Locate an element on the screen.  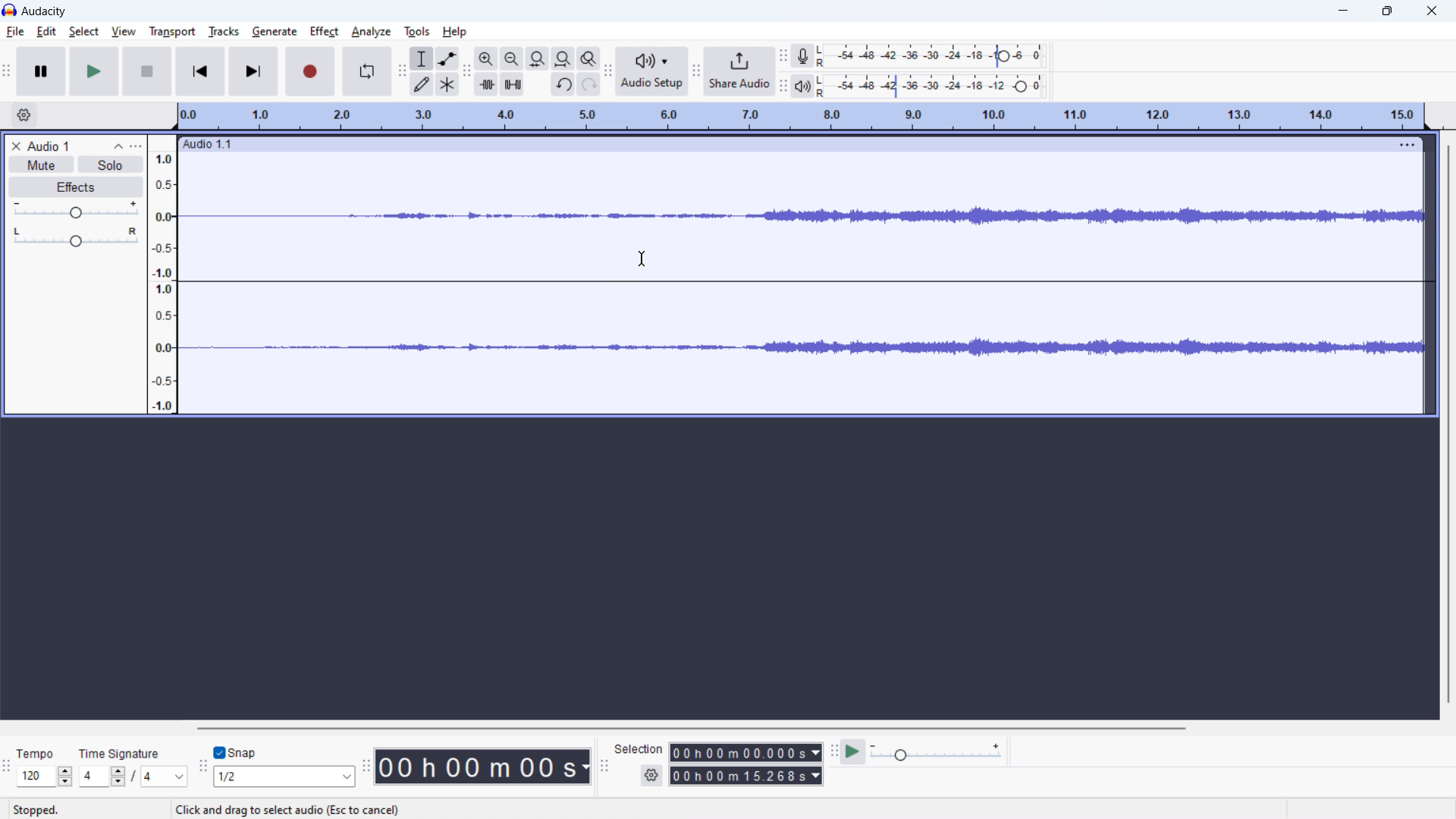
close is located at coordinates (1432, 10).